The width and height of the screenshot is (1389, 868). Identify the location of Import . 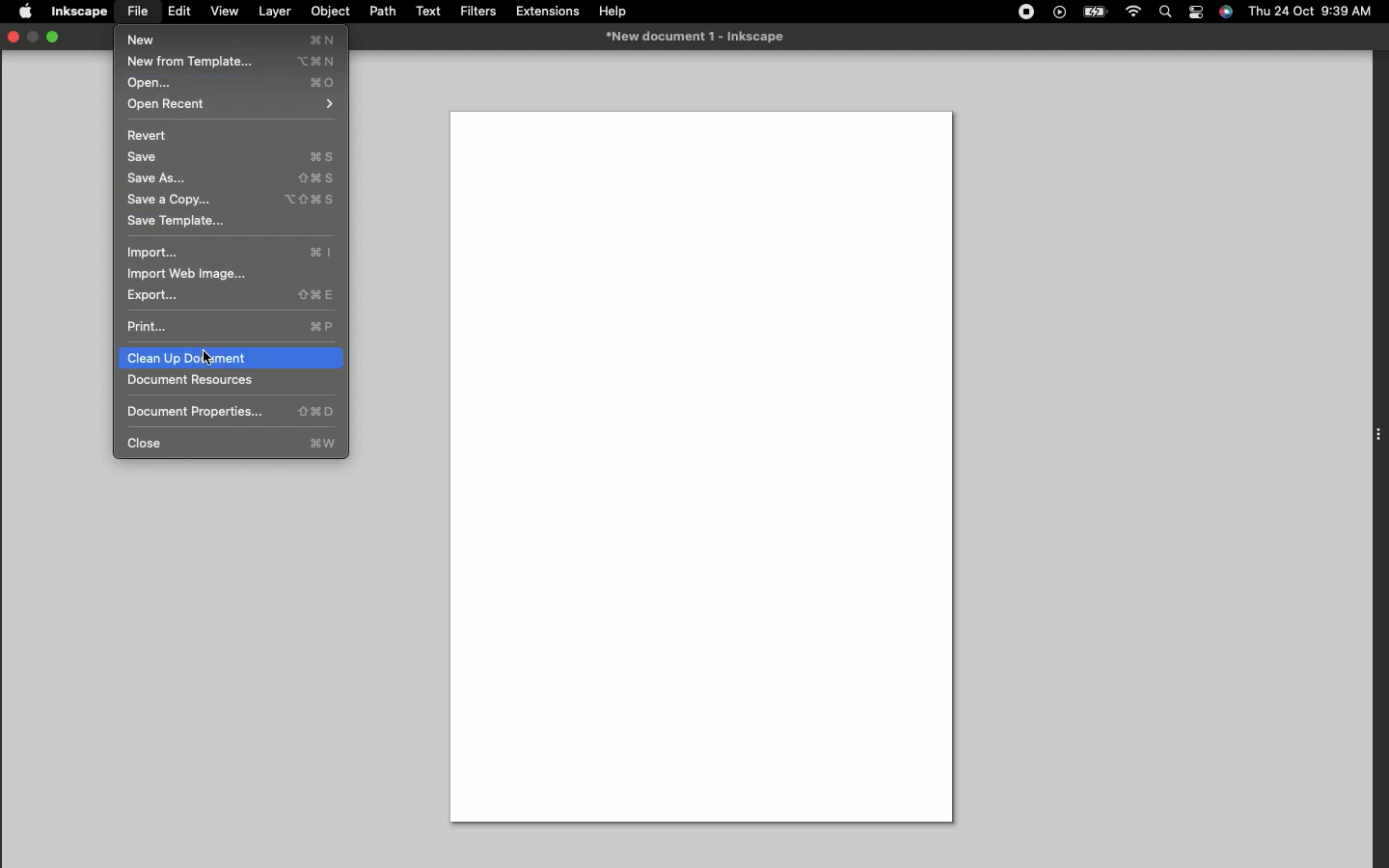
(231, 254).